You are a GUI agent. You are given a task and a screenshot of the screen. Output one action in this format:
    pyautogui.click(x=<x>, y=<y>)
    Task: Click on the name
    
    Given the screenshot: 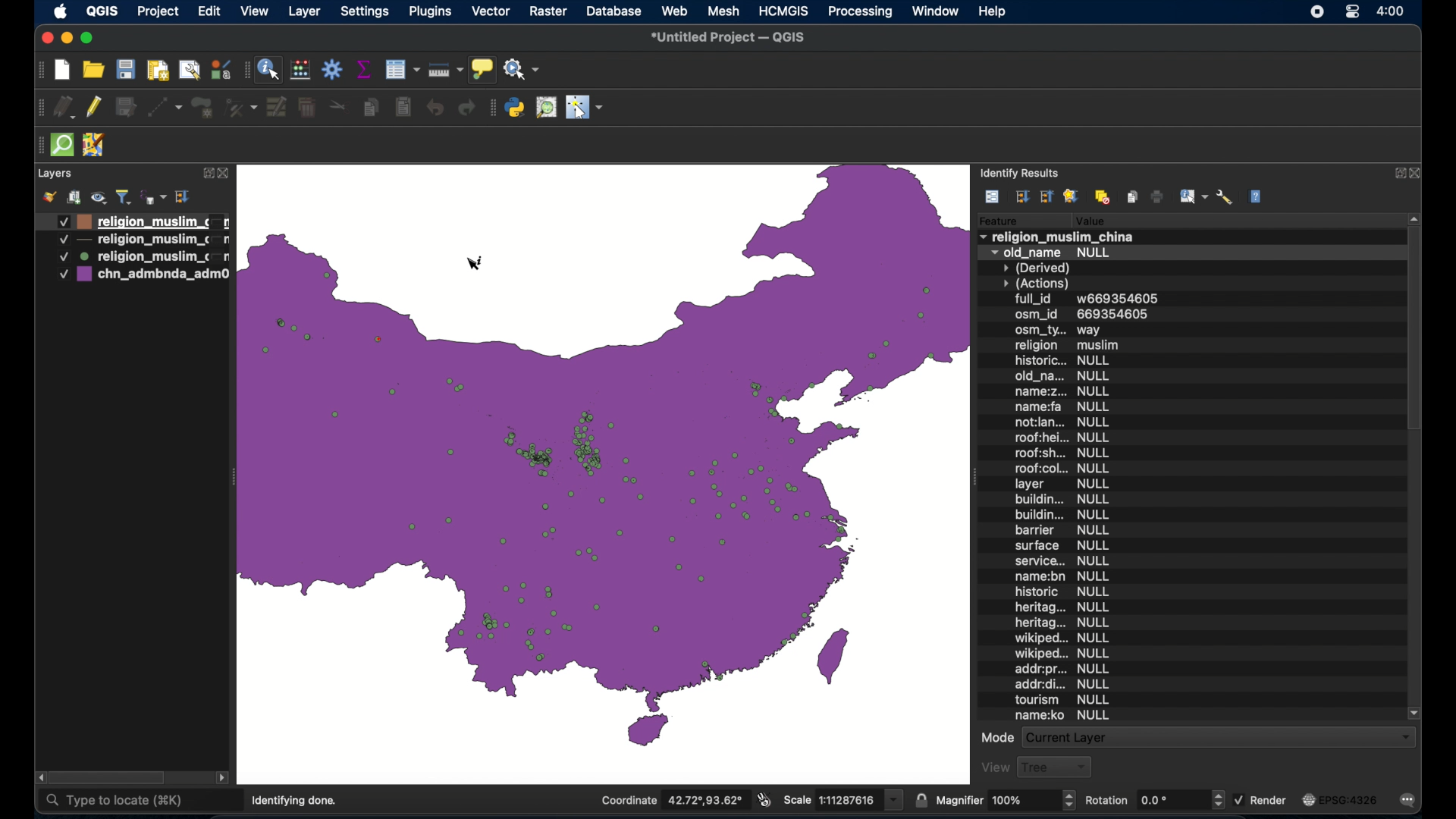 What is the action you would take?
    pyautogui.click(x=1061, y=406)
    